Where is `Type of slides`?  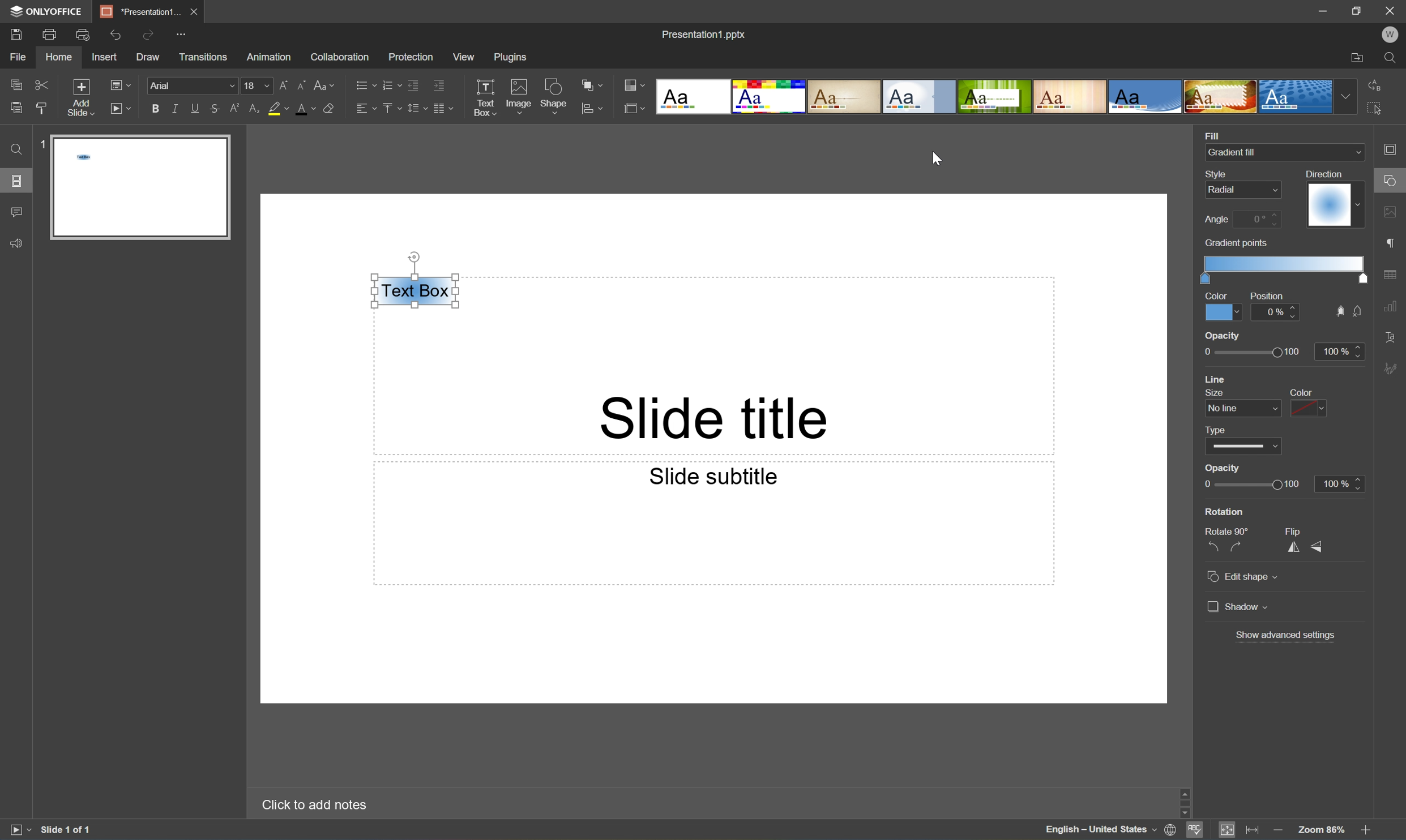
Type of slides is located at coordinates (993, 97).